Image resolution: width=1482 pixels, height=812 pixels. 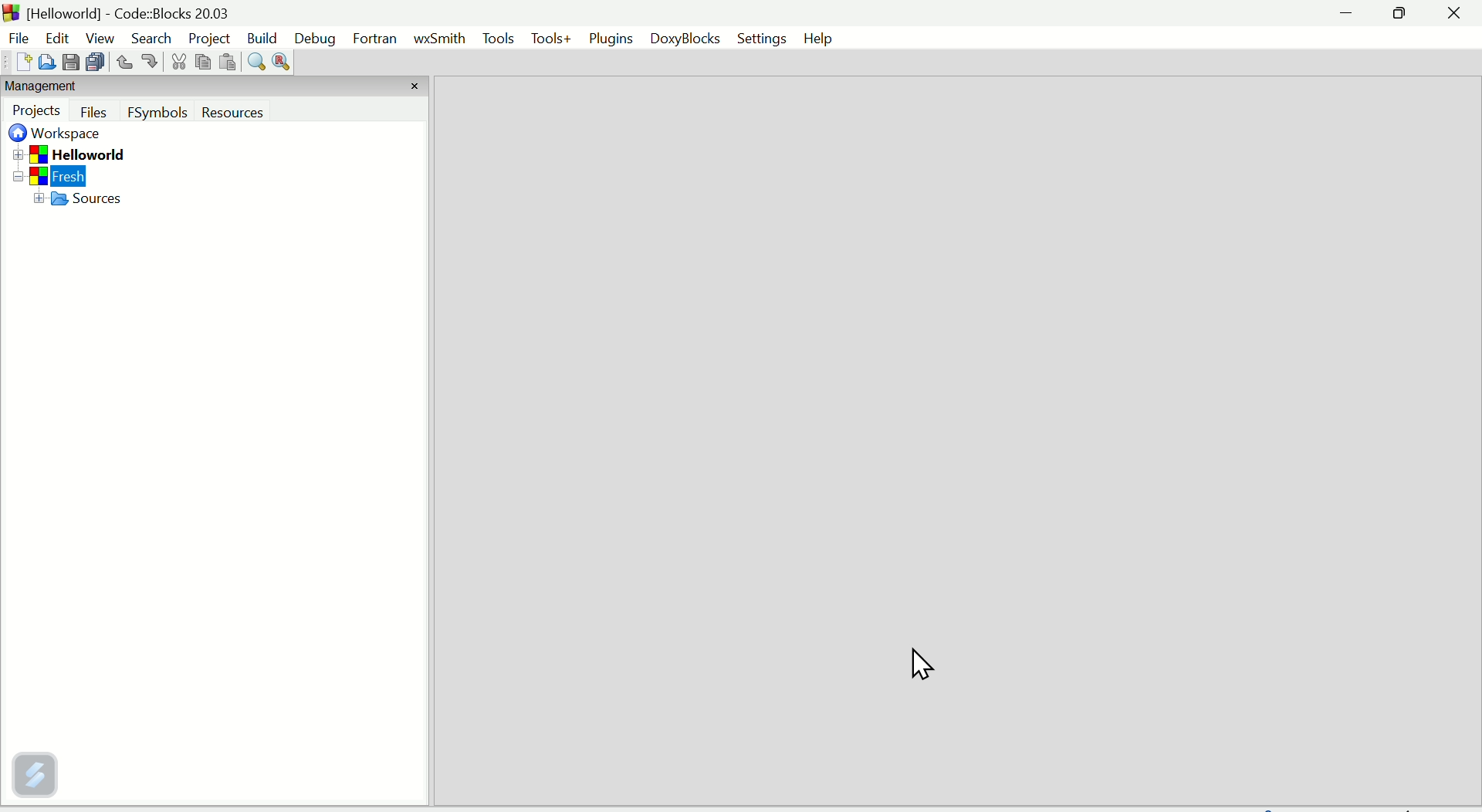 What do you see at coordinates (51, 34) in the screenshot?
I see `Edit` at bounding box center [51, 34].